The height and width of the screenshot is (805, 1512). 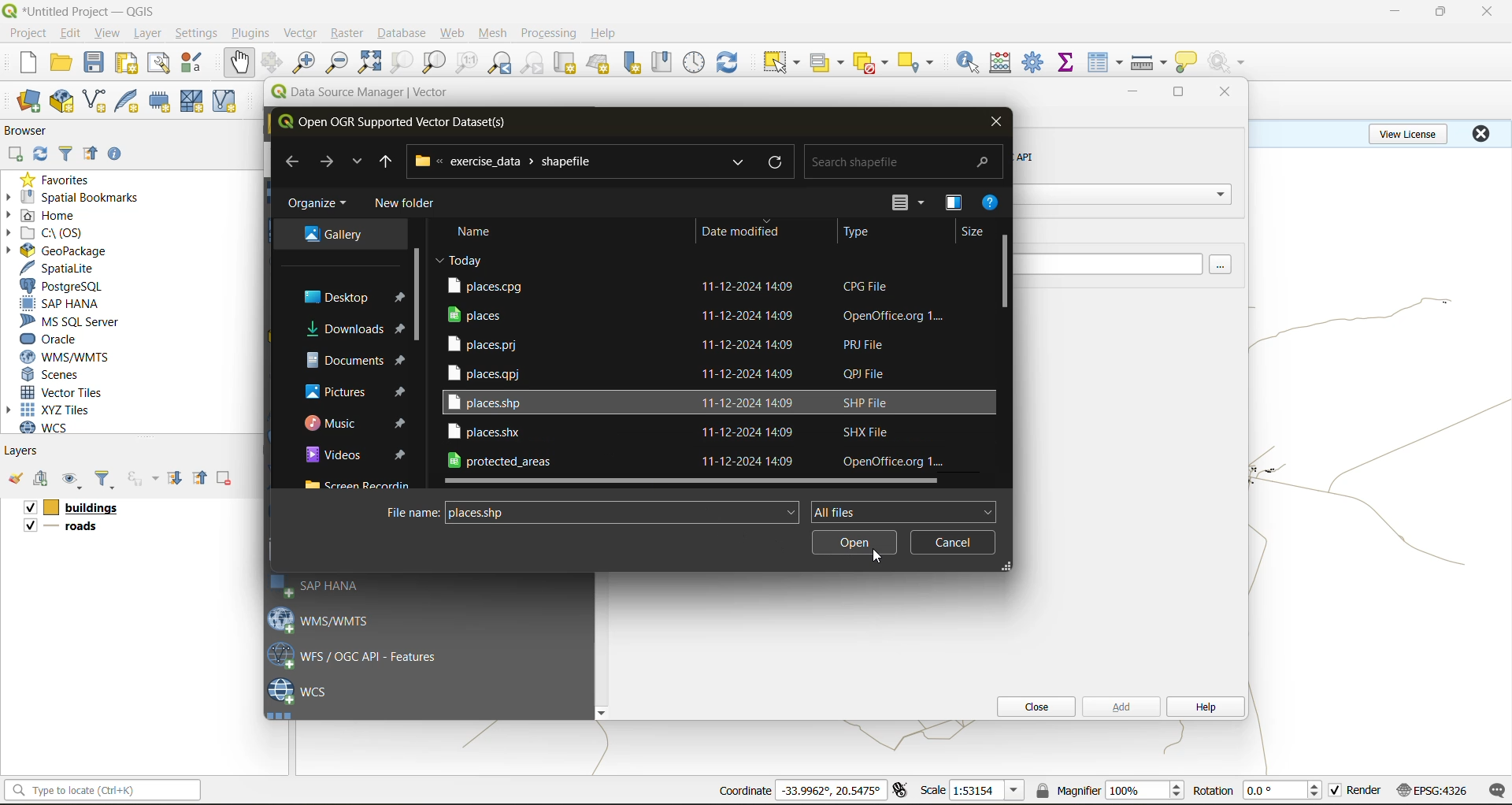 I want to click on plugins, so click(x=254, y=32).